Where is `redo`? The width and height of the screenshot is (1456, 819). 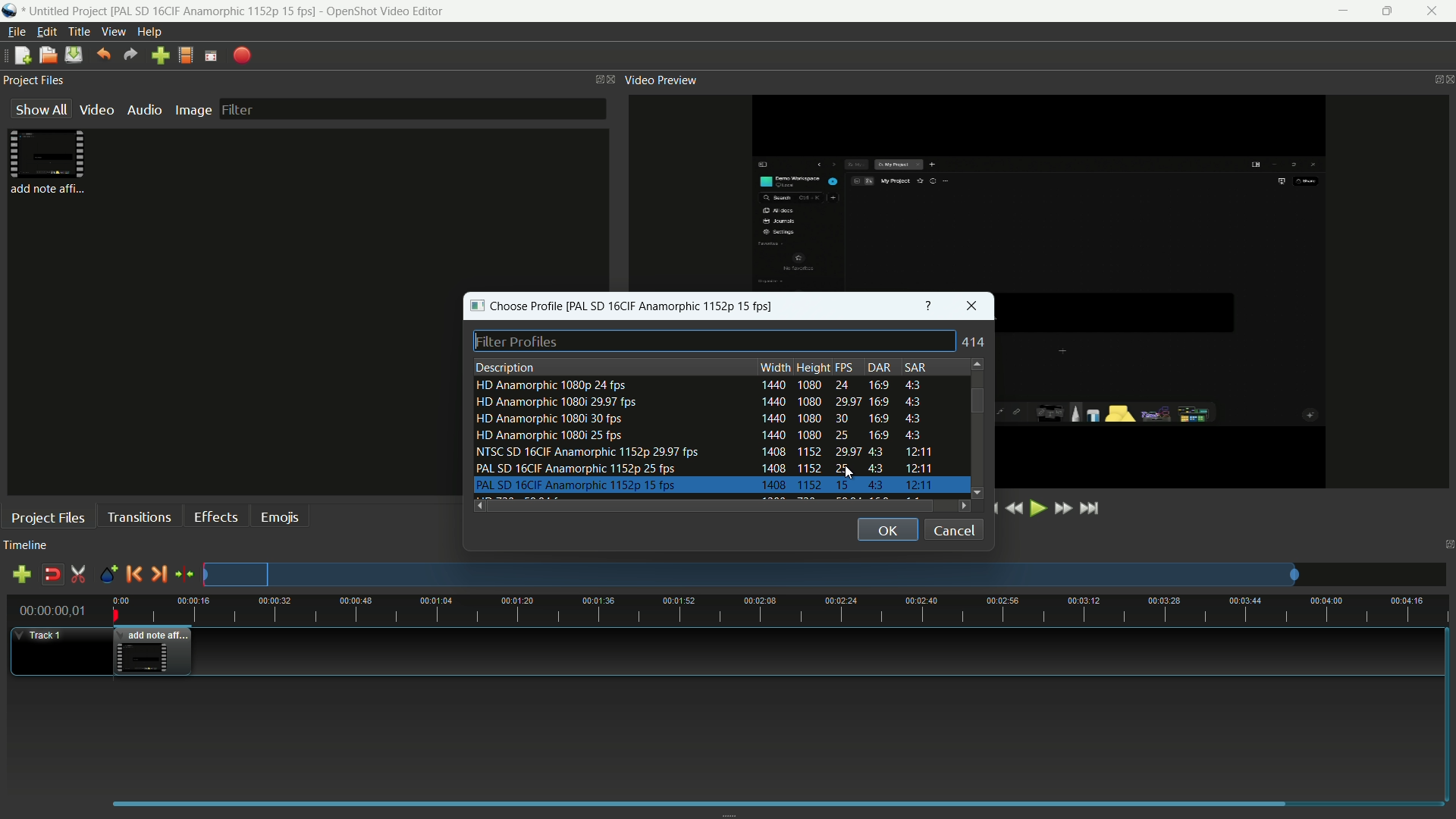 redo is located at coordinates (128, 55).